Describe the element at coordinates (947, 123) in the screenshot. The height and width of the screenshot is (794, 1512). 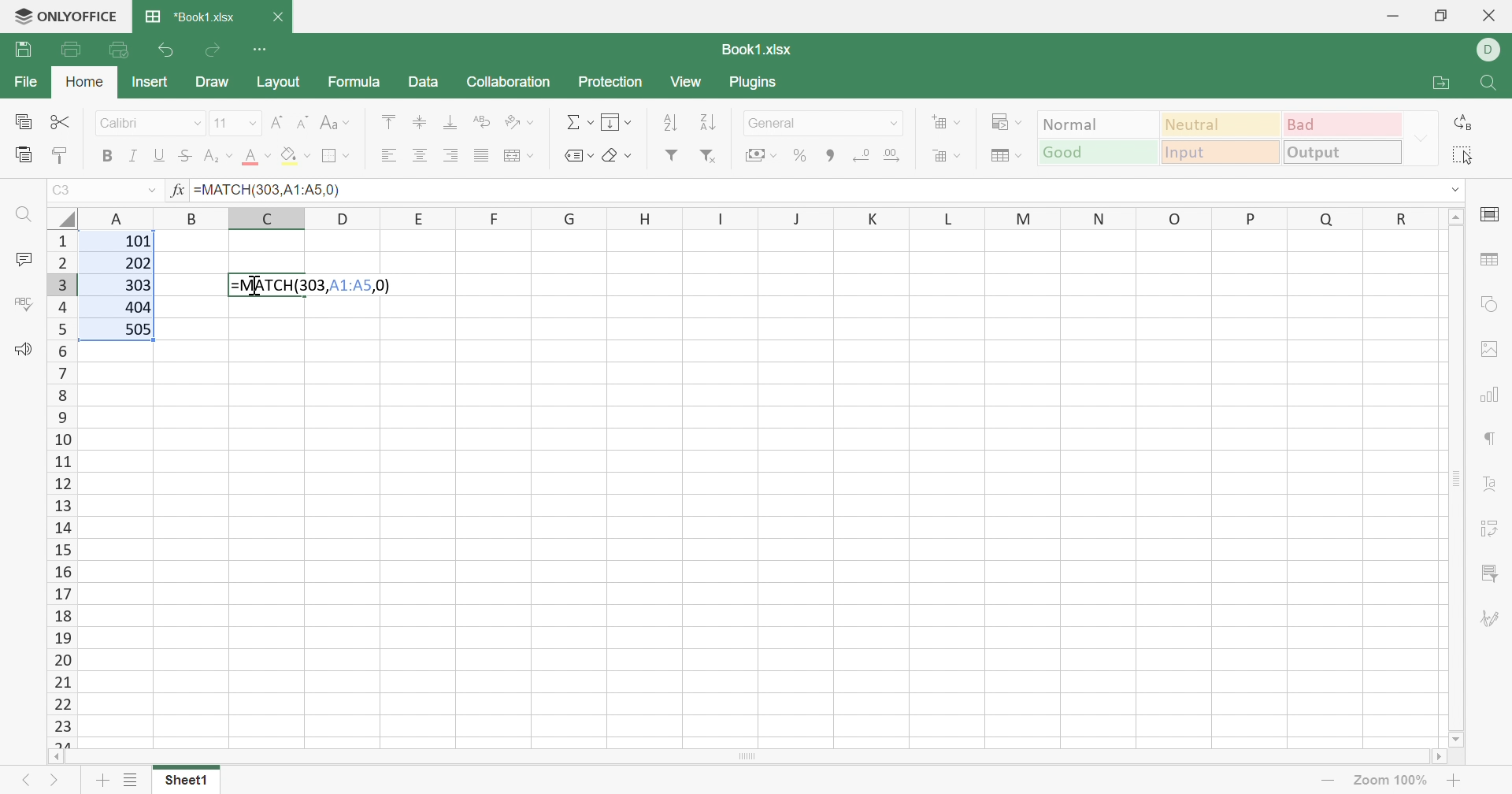
I see `Insert cells` at that location.